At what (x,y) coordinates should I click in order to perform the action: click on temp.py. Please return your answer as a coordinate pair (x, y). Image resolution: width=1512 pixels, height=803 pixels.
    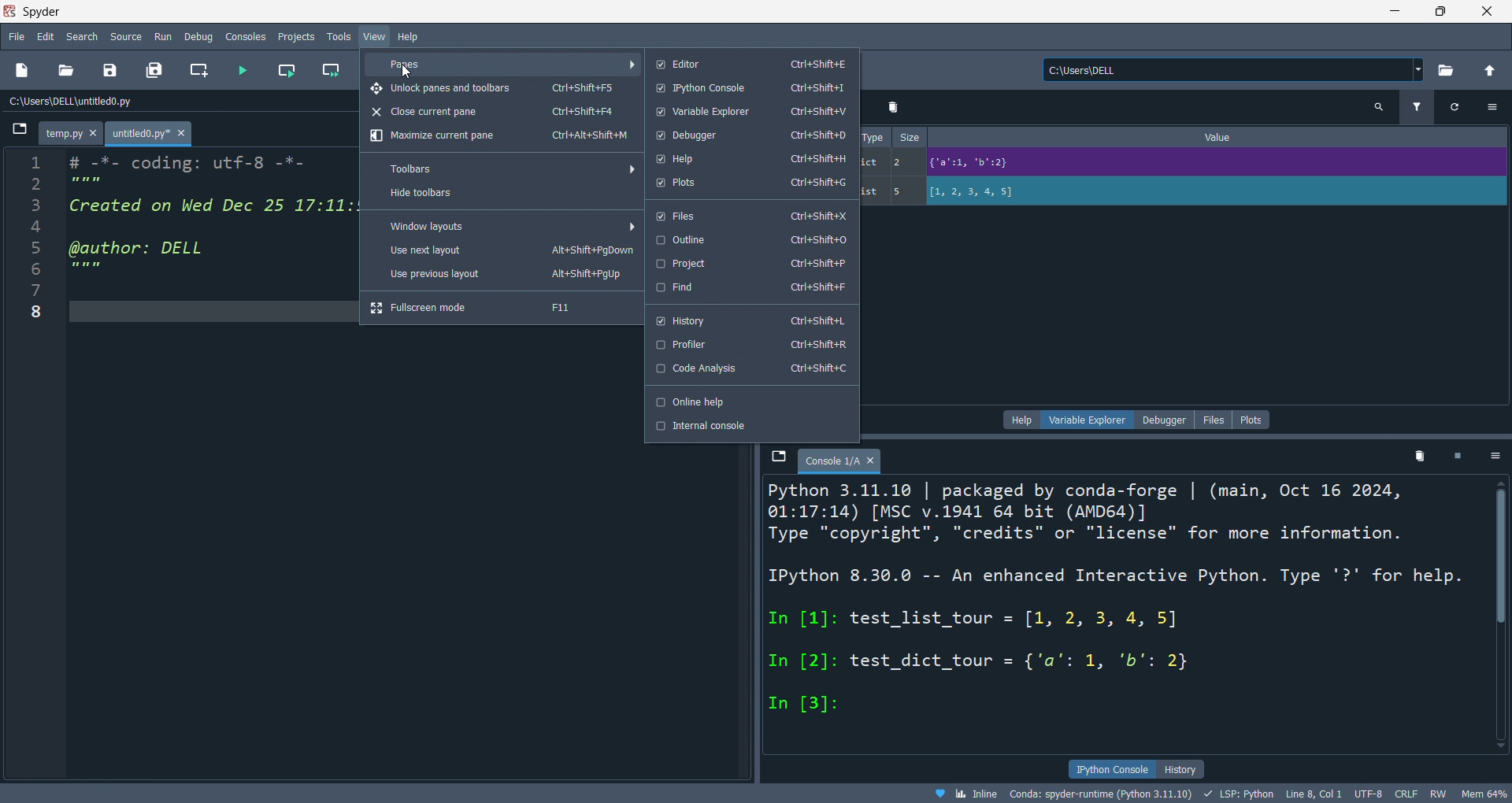
    Looking at the image, I should click on (73, 135).